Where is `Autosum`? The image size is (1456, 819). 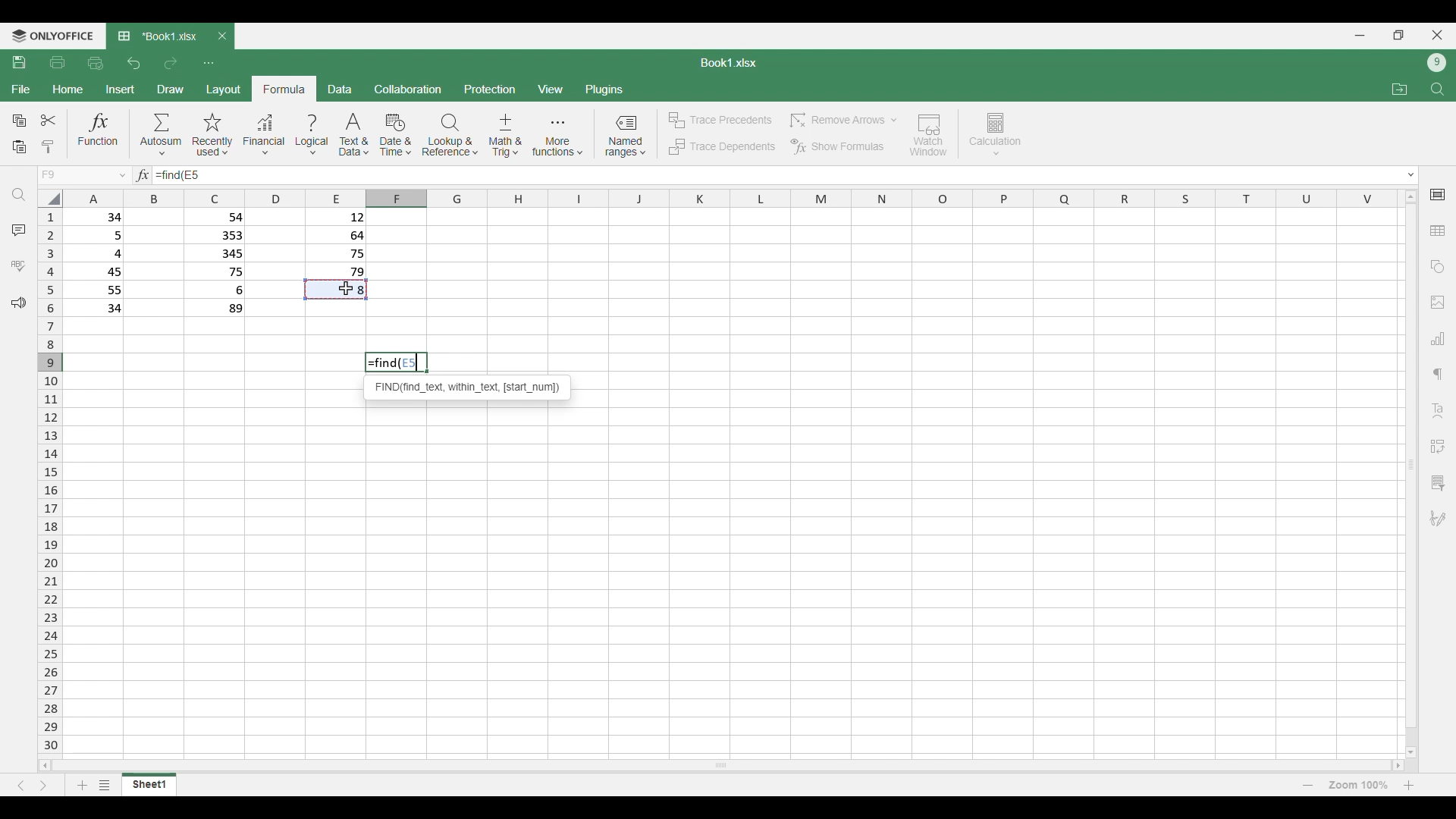 Autosum is located at coordinates (162, 133).